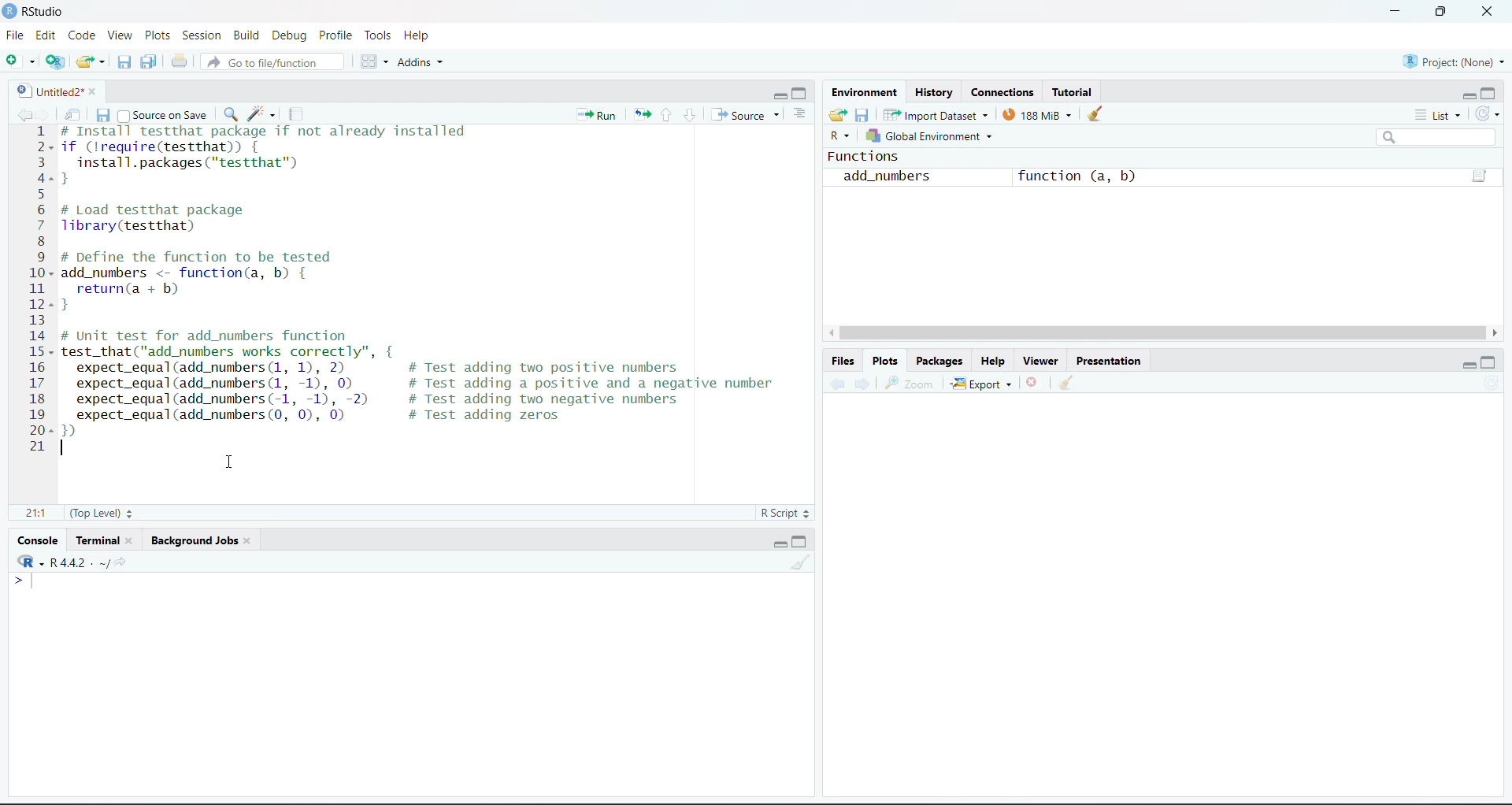  I want to click on close, so click(132, 538).